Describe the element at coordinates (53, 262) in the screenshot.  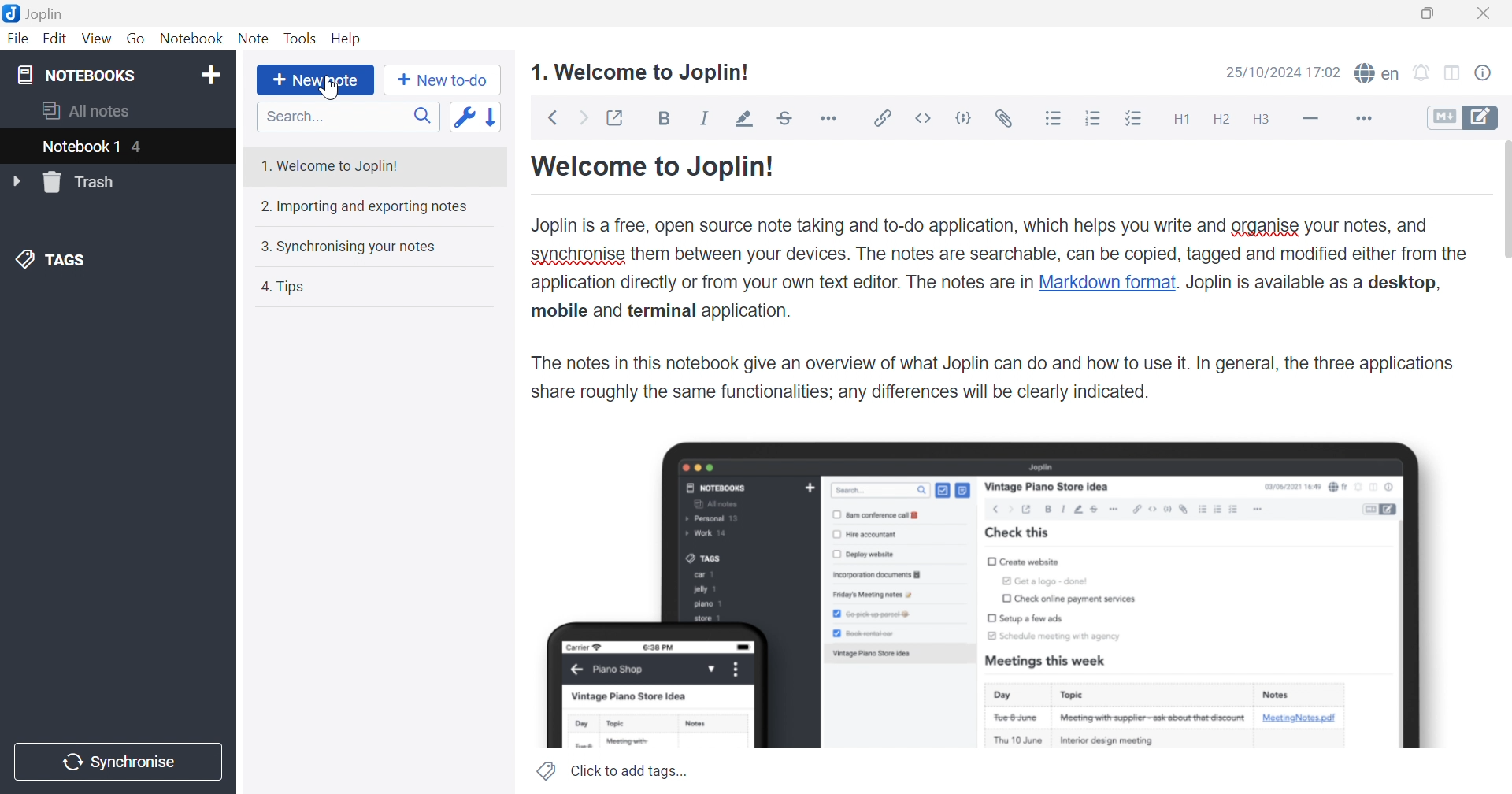
I see `TAGS` at that location.